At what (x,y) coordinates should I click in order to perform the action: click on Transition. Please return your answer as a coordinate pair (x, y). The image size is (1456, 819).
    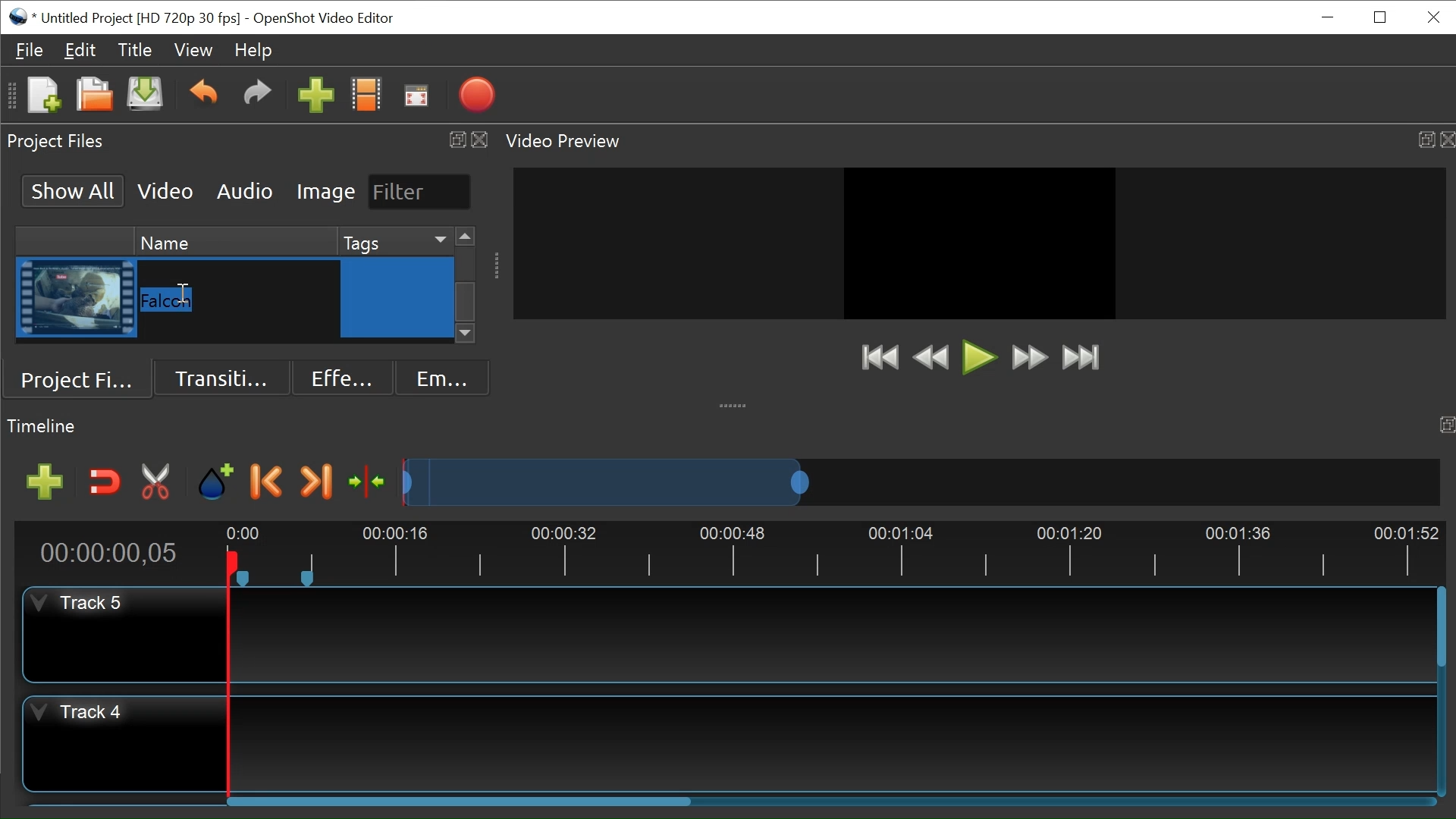
    Looking at the image, I should click on (224, 376).